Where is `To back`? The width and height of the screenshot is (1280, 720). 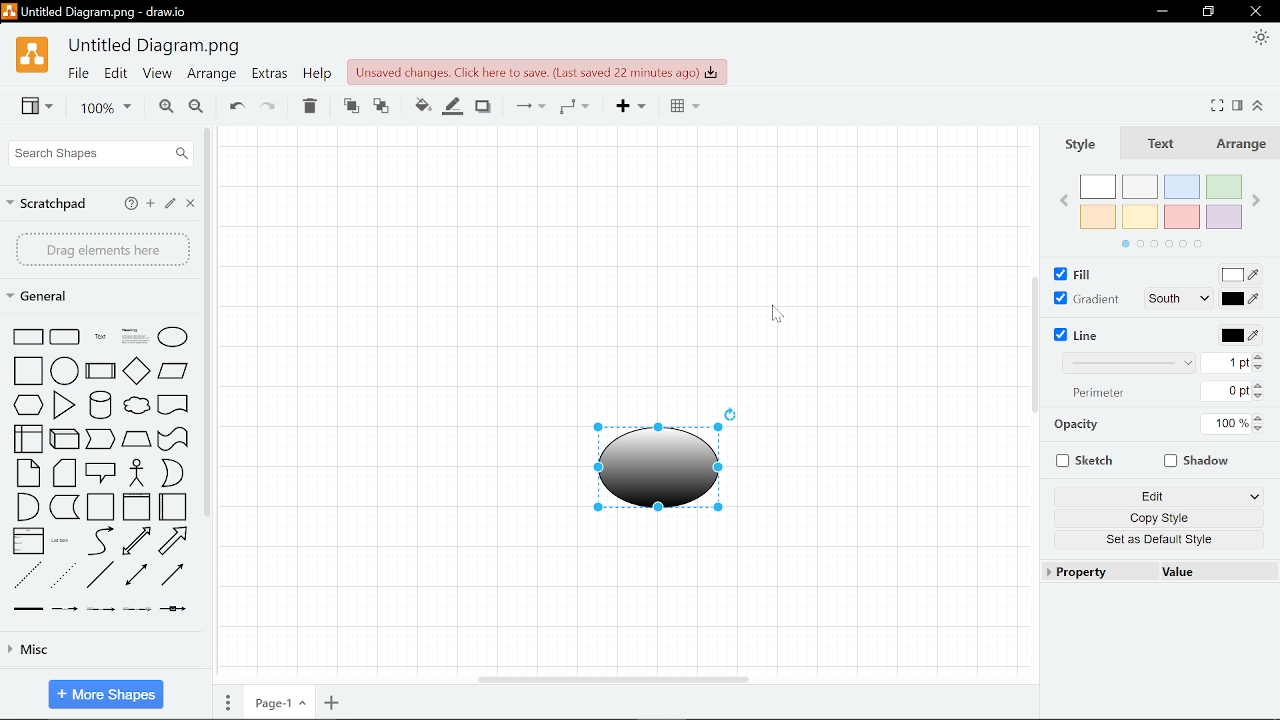
To back is located at coordinates (381, 104).